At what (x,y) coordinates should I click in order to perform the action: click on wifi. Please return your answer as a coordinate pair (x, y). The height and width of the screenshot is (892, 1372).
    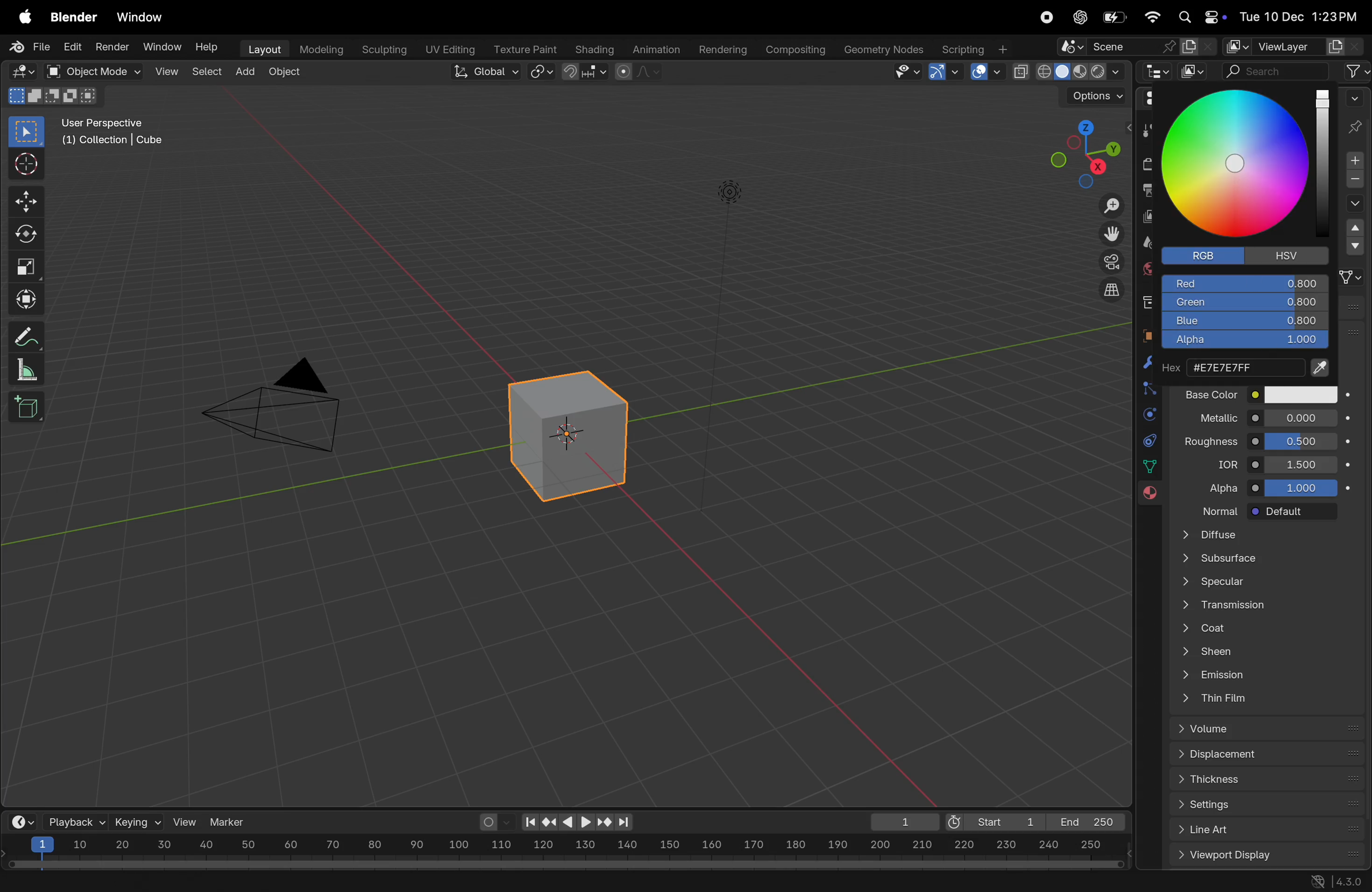
    Looking at the image, I should click on (1152, 17).